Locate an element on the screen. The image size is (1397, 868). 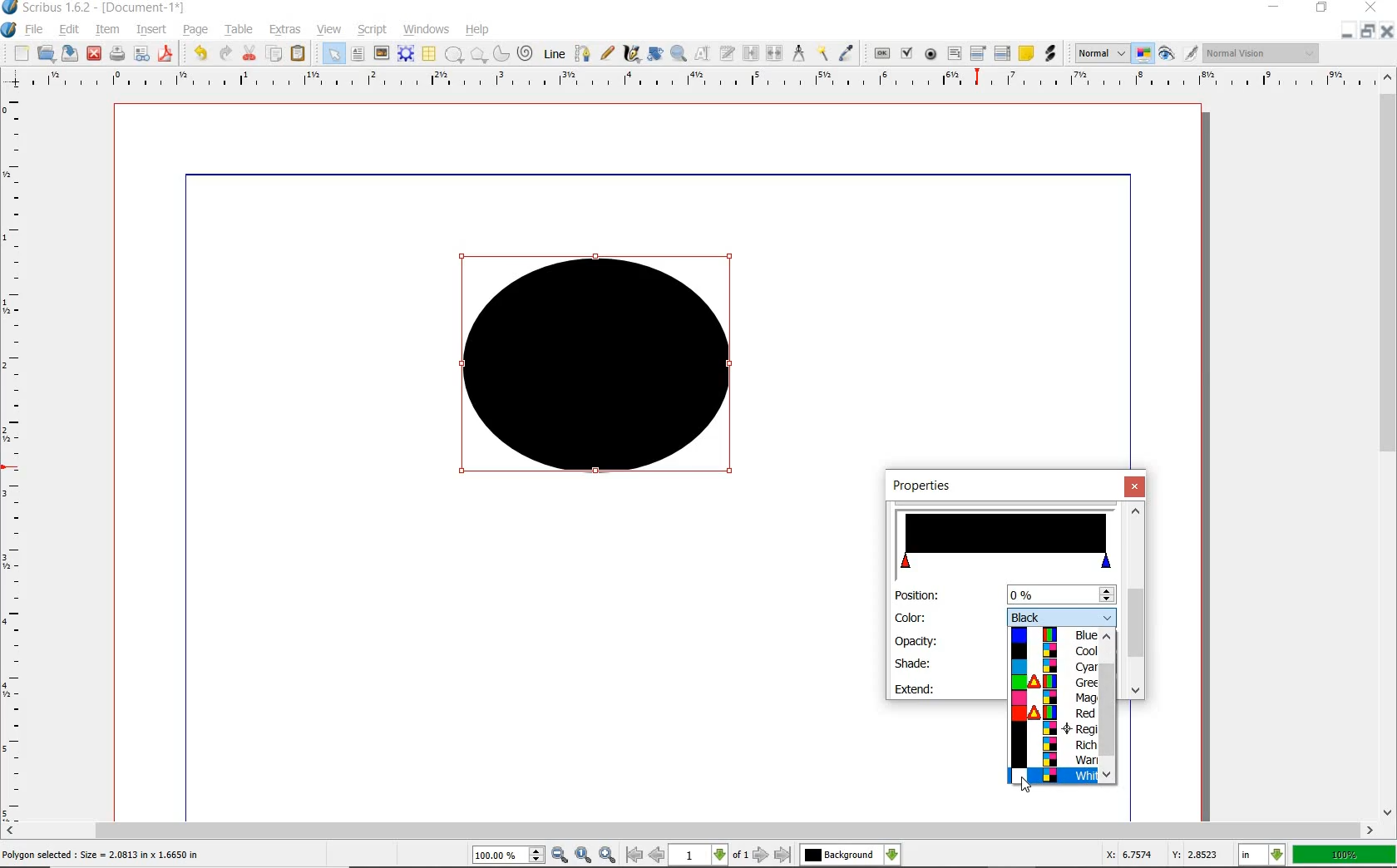
NEW is located at coordinates (21, 53).